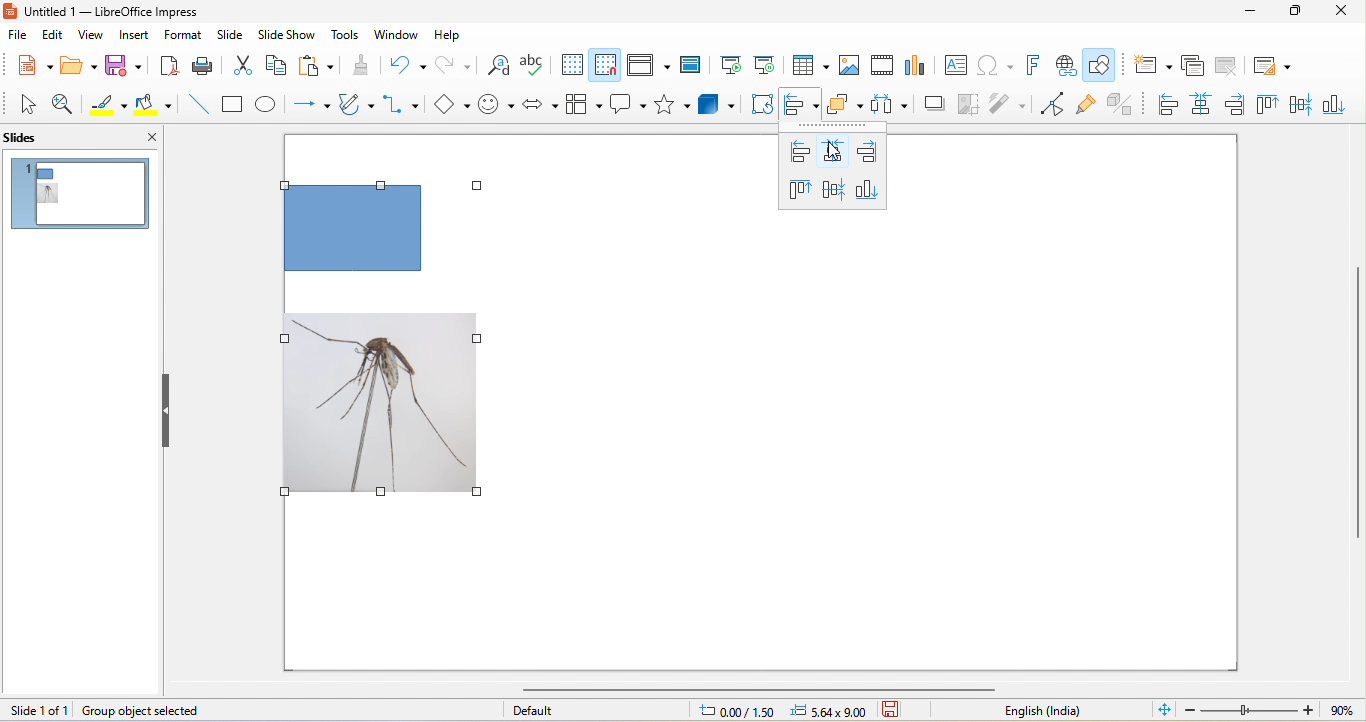 The width and height of the screenshot is (1366, 722). Describe the element at coordinates (994, 65) in the screenshot. I see `special character` at that location.